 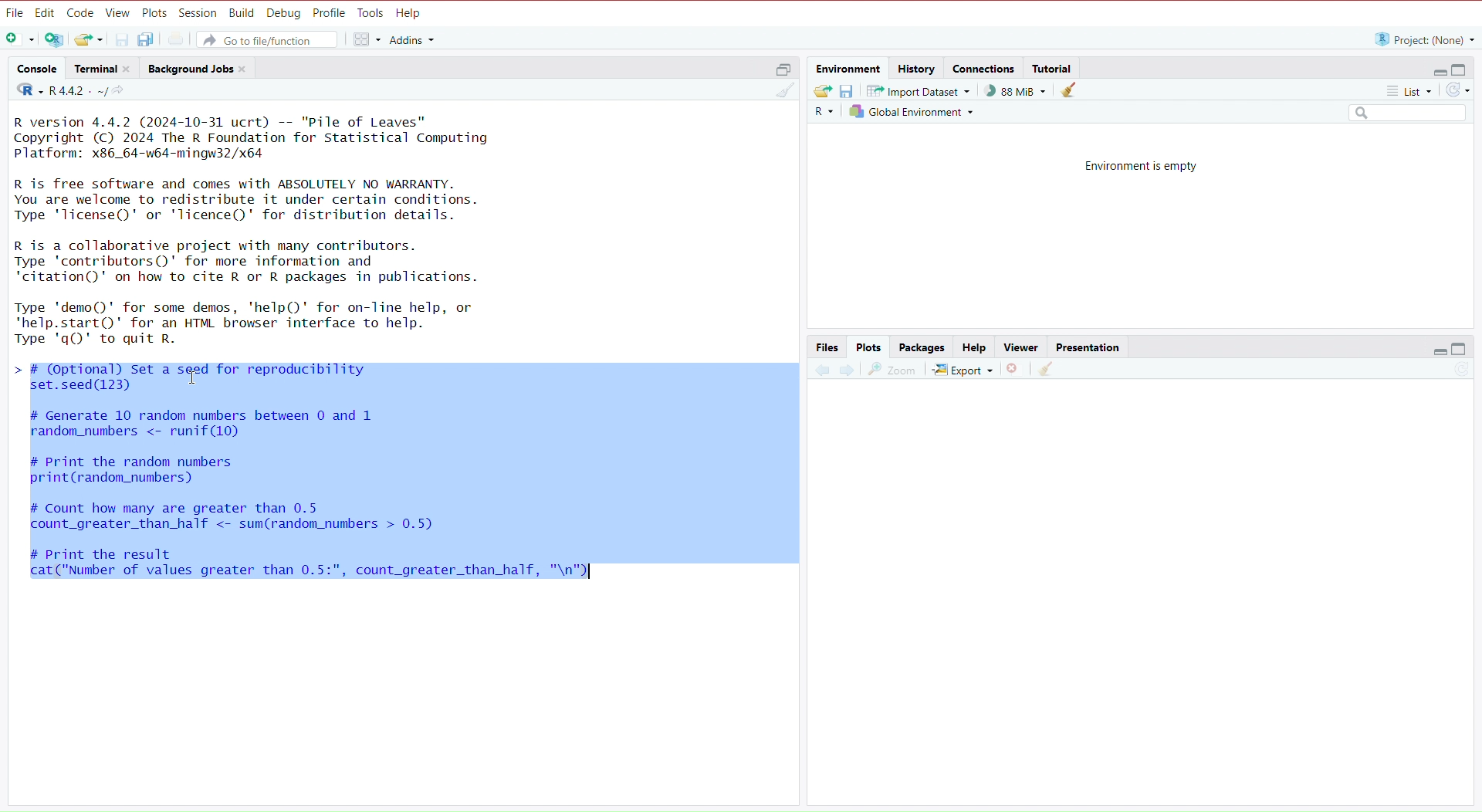 What do you see at coordinates (145, 40) in the screenshot?
I see `Save all open files` at bounding box center [145, 40].